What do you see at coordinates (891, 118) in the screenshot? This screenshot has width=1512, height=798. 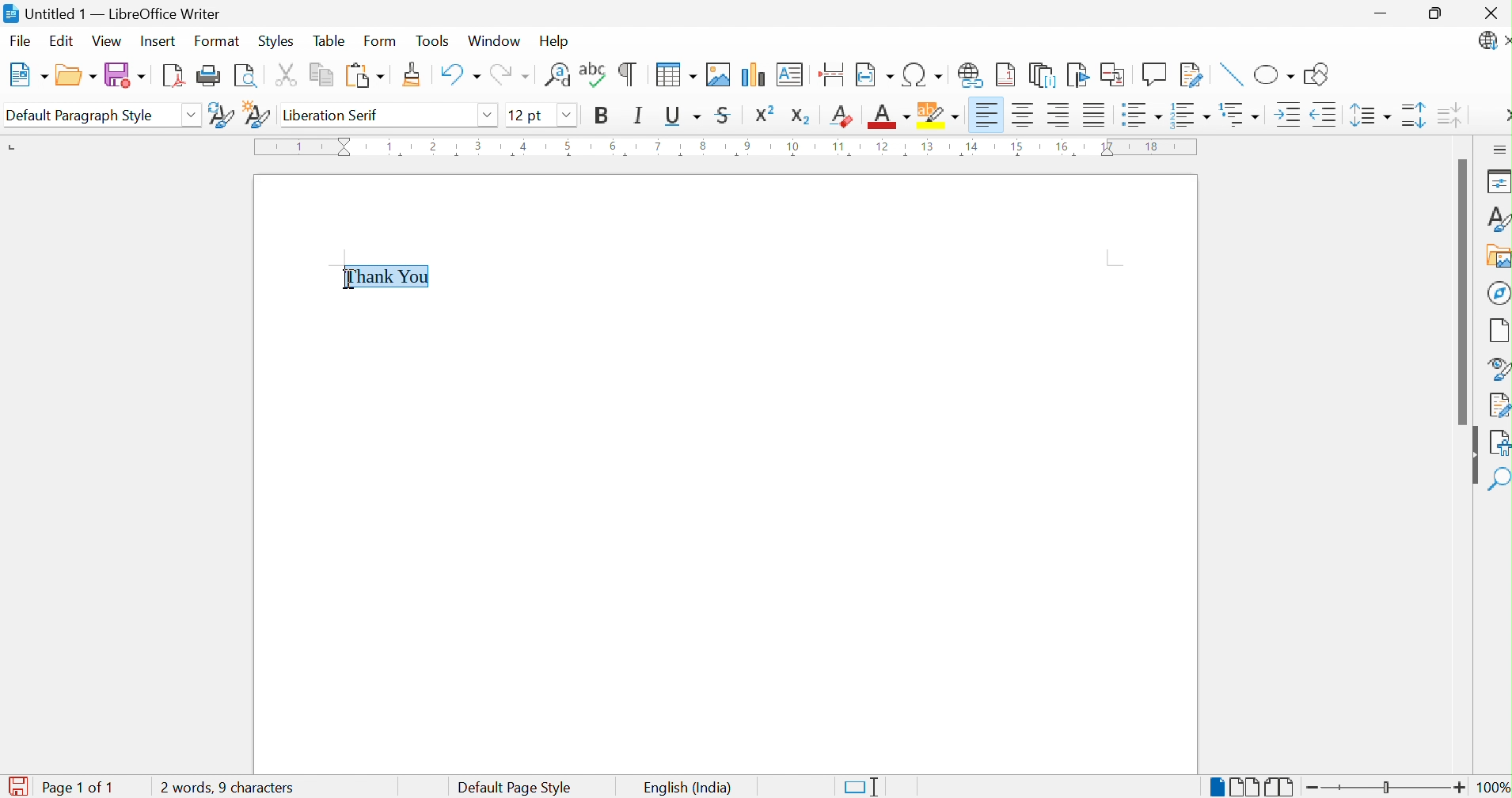 I see `Font Color` at bounding box center [891, 118].